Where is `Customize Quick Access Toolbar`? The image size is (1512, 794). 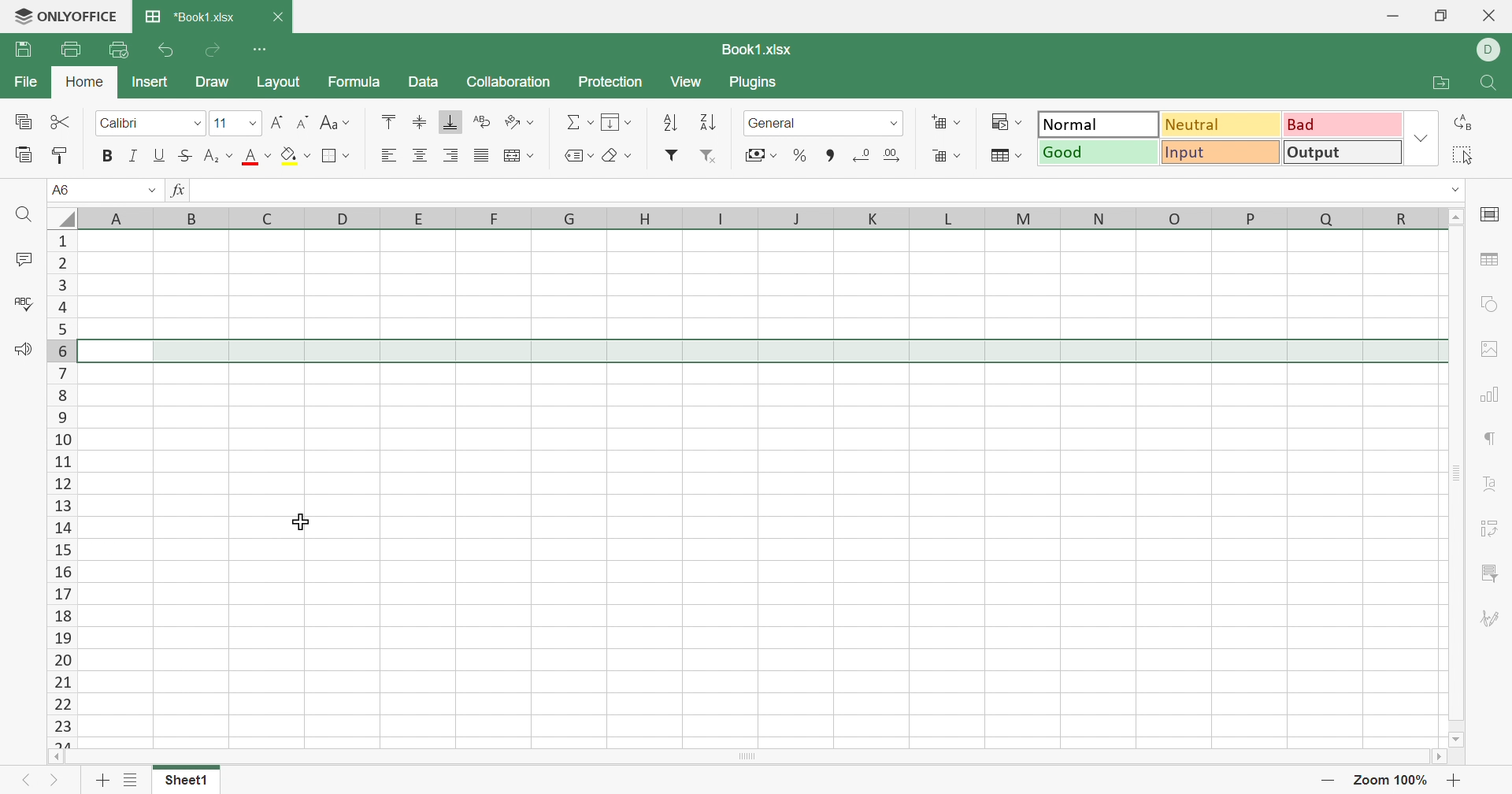
Customize Quick Access Toolbar is located at coordinates (259, 47).